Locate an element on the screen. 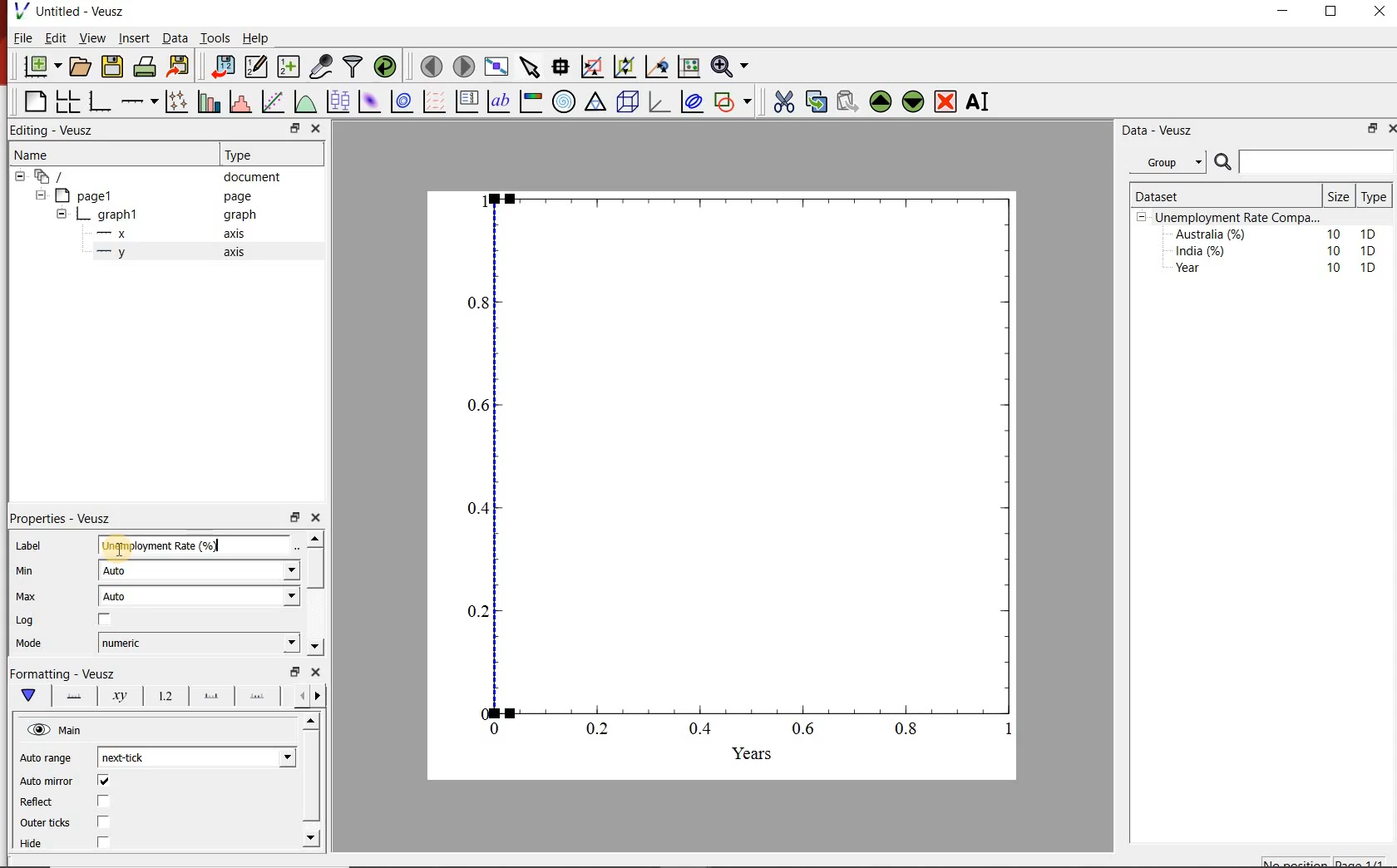 The height and width of the screenshot is (868, 1397). Min is located at coordinates (36, 572).